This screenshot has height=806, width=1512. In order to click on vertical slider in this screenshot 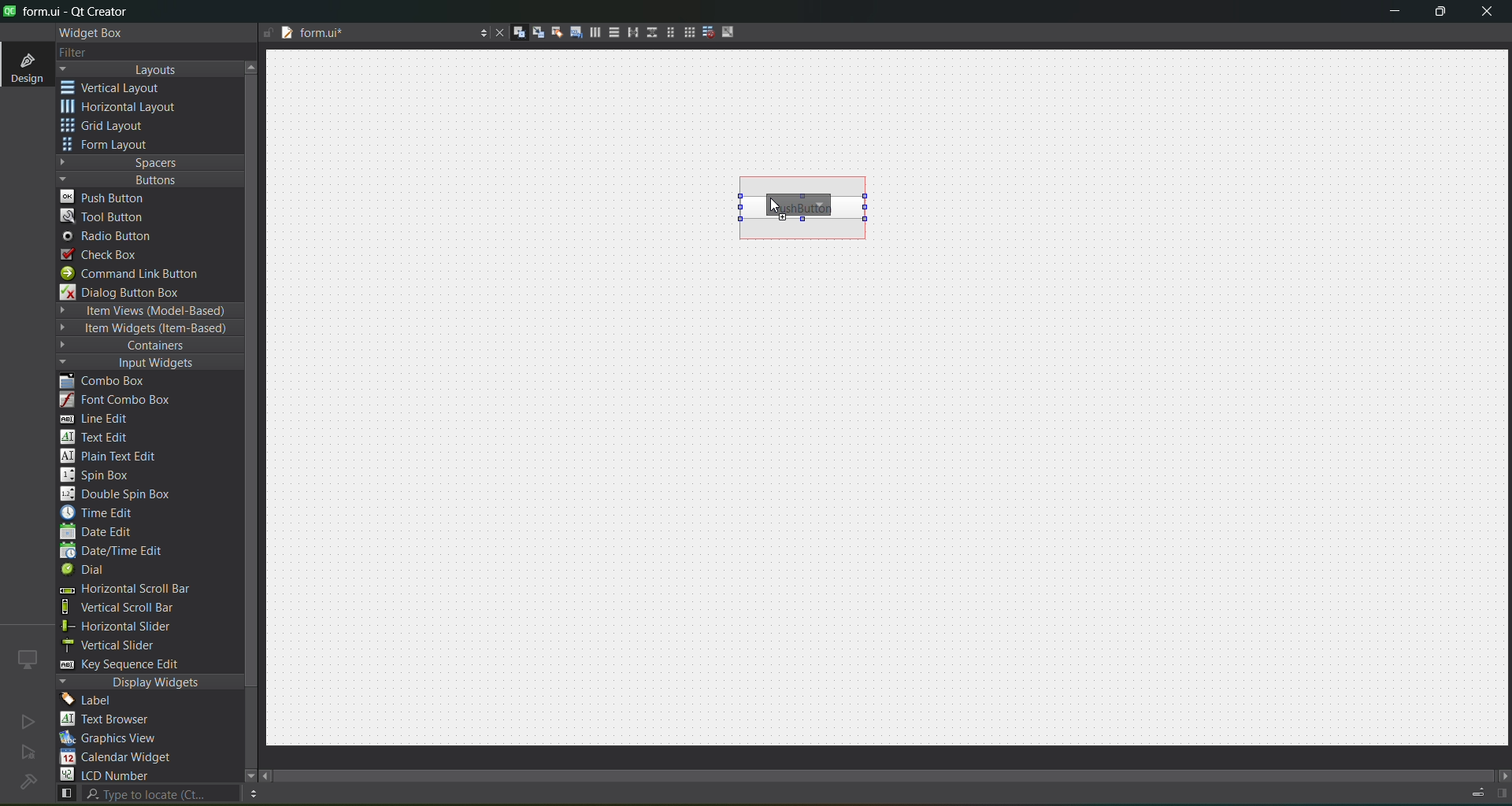, I will do `click(124, 645)`.